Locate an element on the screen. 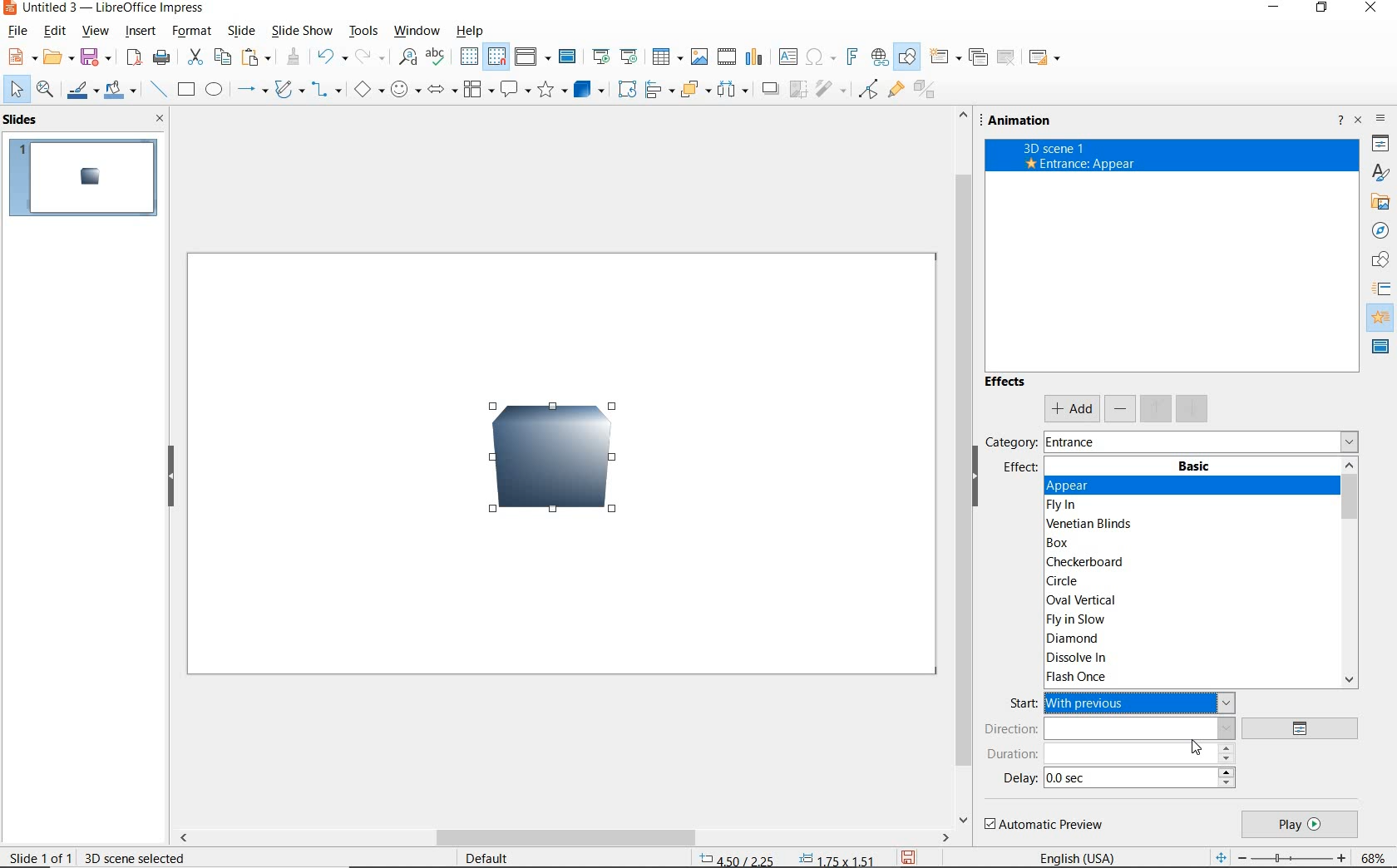 This screenshot has width=1397, height=868. effect is located at coordinates (1019, 471).